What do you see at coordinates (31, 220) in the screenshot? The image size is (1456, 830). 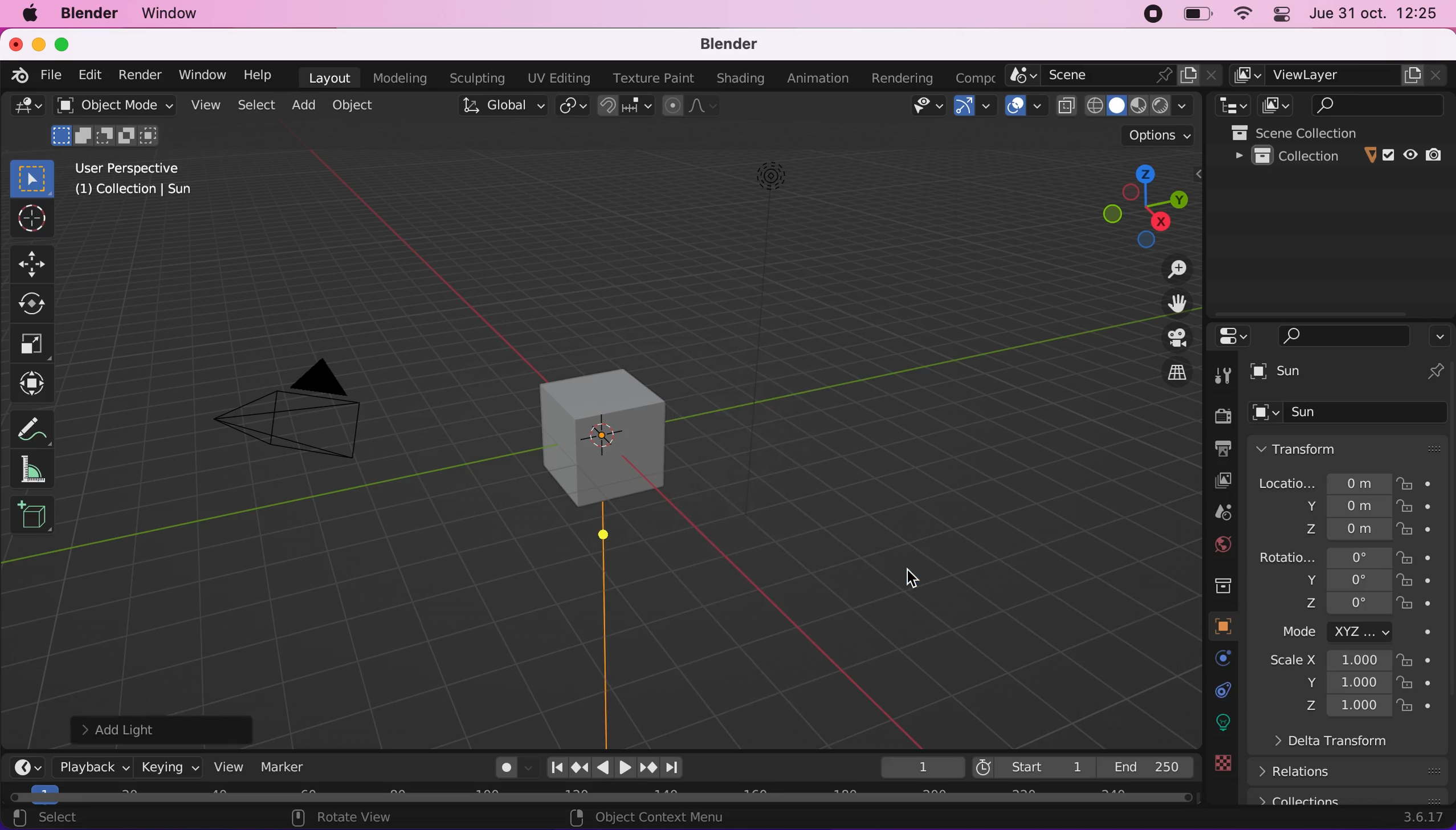 I see `cursor` at bounding box center [31, 220].